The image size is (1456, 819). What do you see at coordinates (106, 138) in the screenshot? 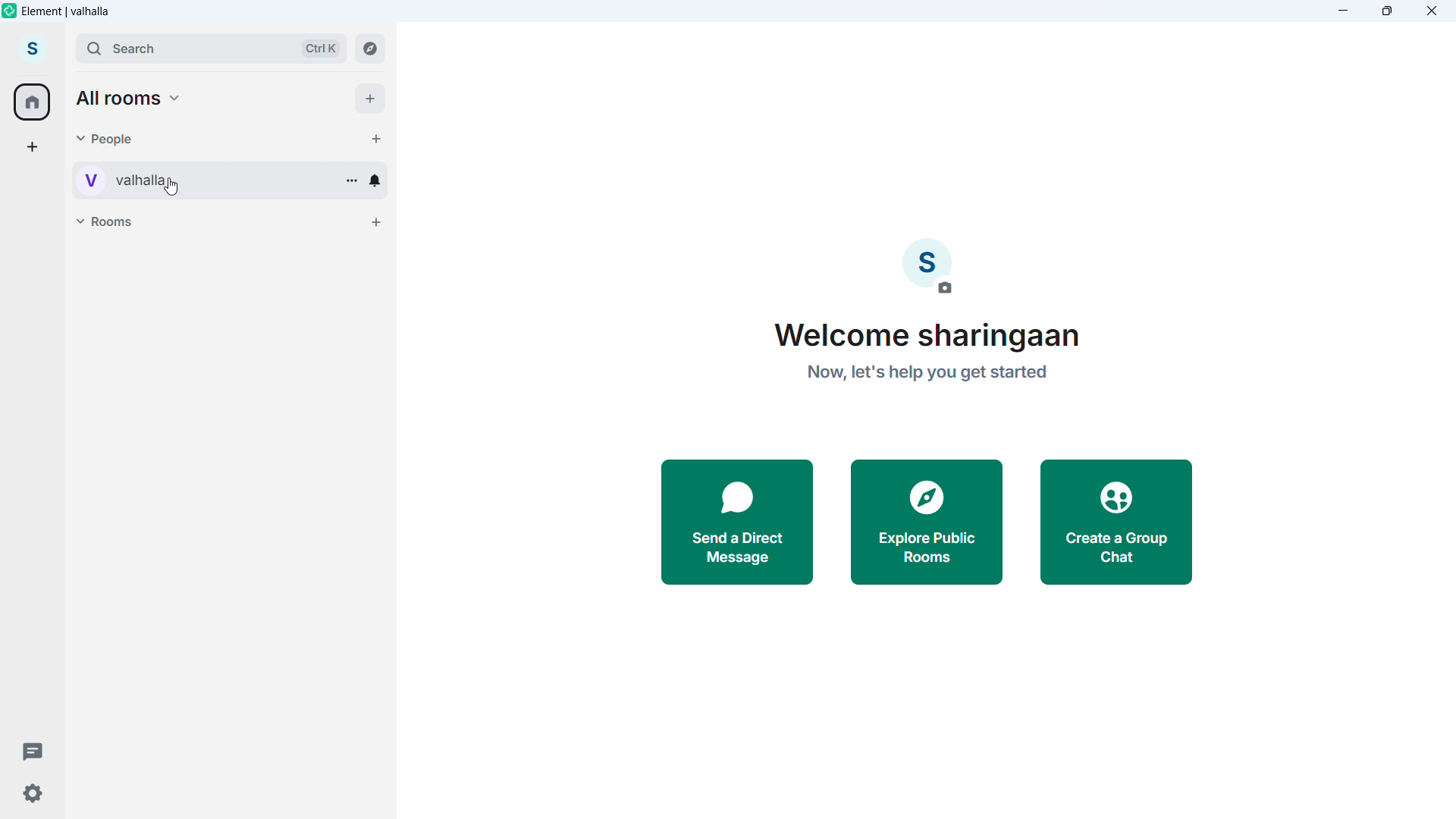
I see `people ` at bounding box center [106, 138].